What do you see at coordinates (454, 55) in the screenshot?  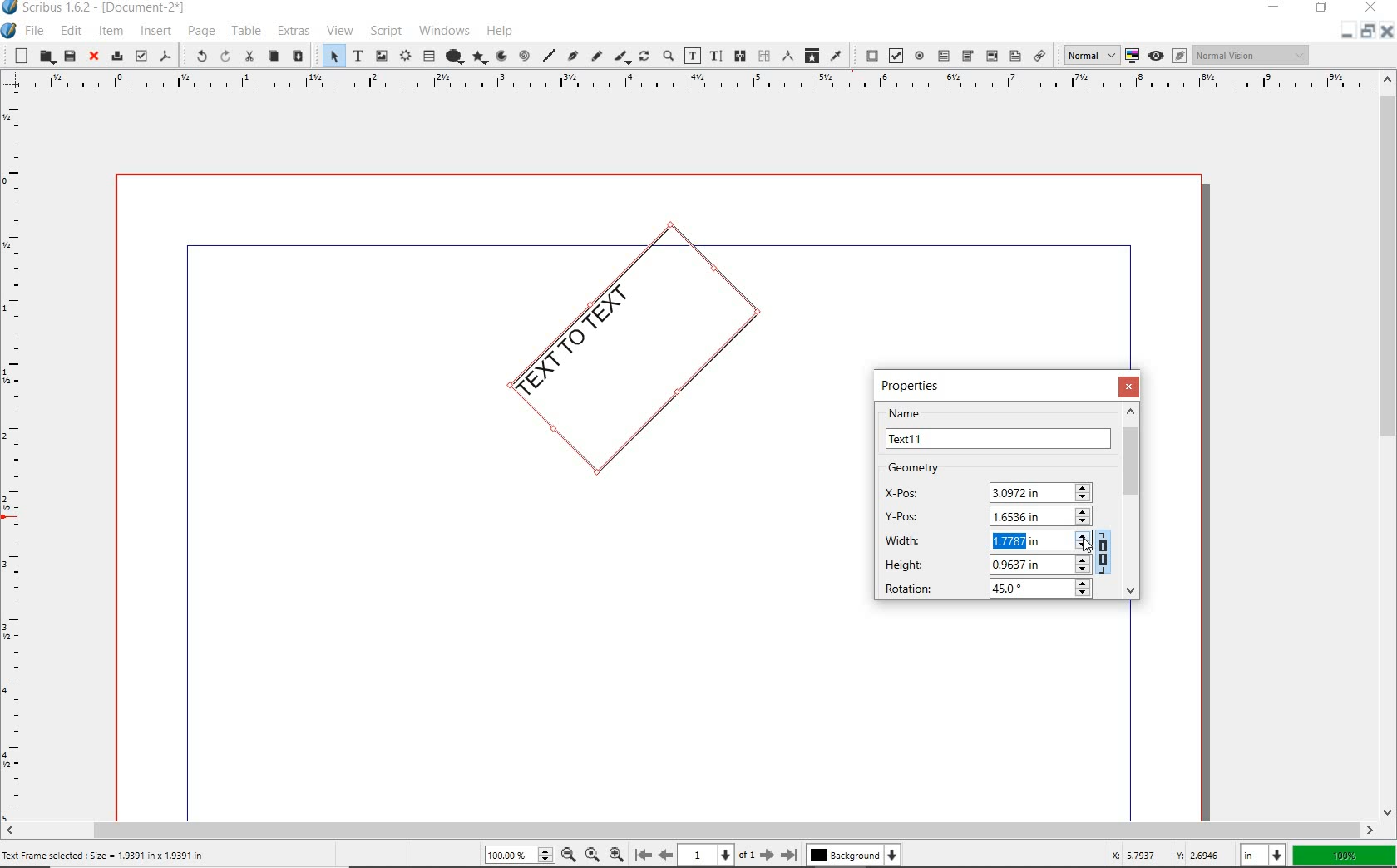 I see `shape` at bounding box center [454, 55].